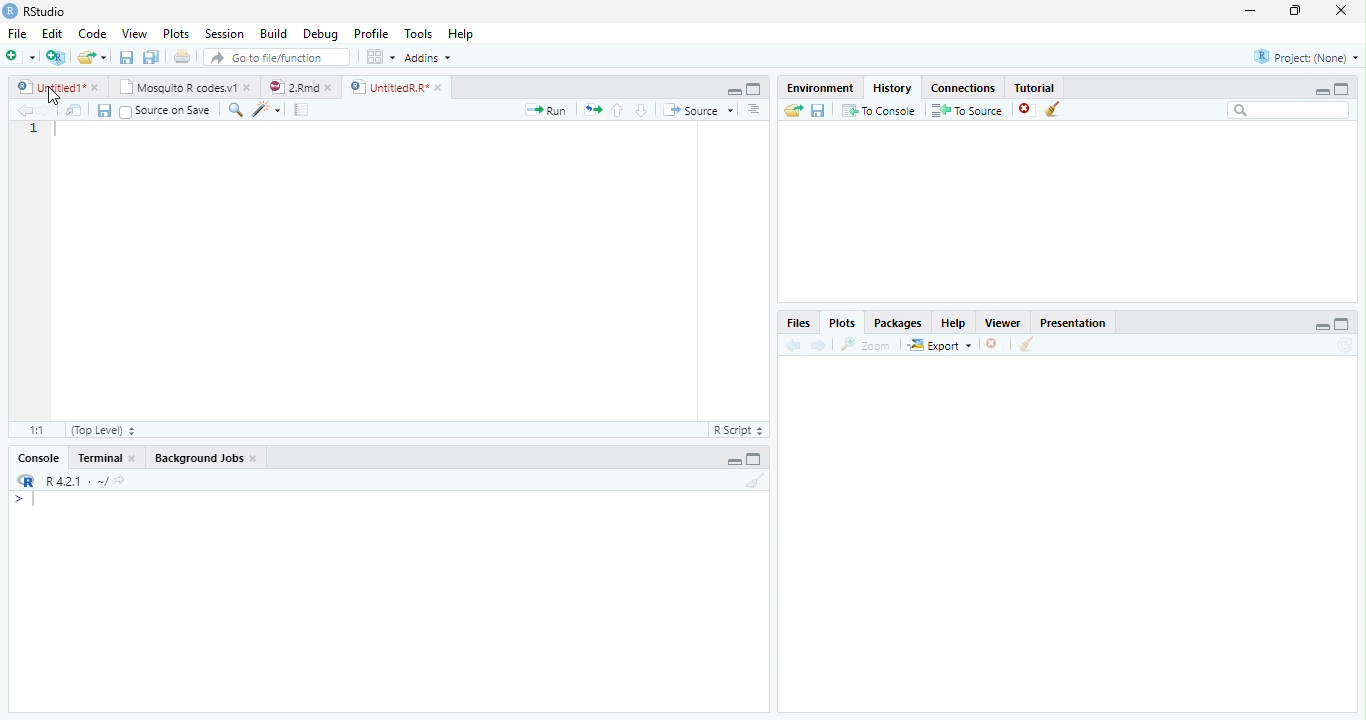 The height and width of the screenshot is (720, 1366). I want to click on Print, so click(183, 58).